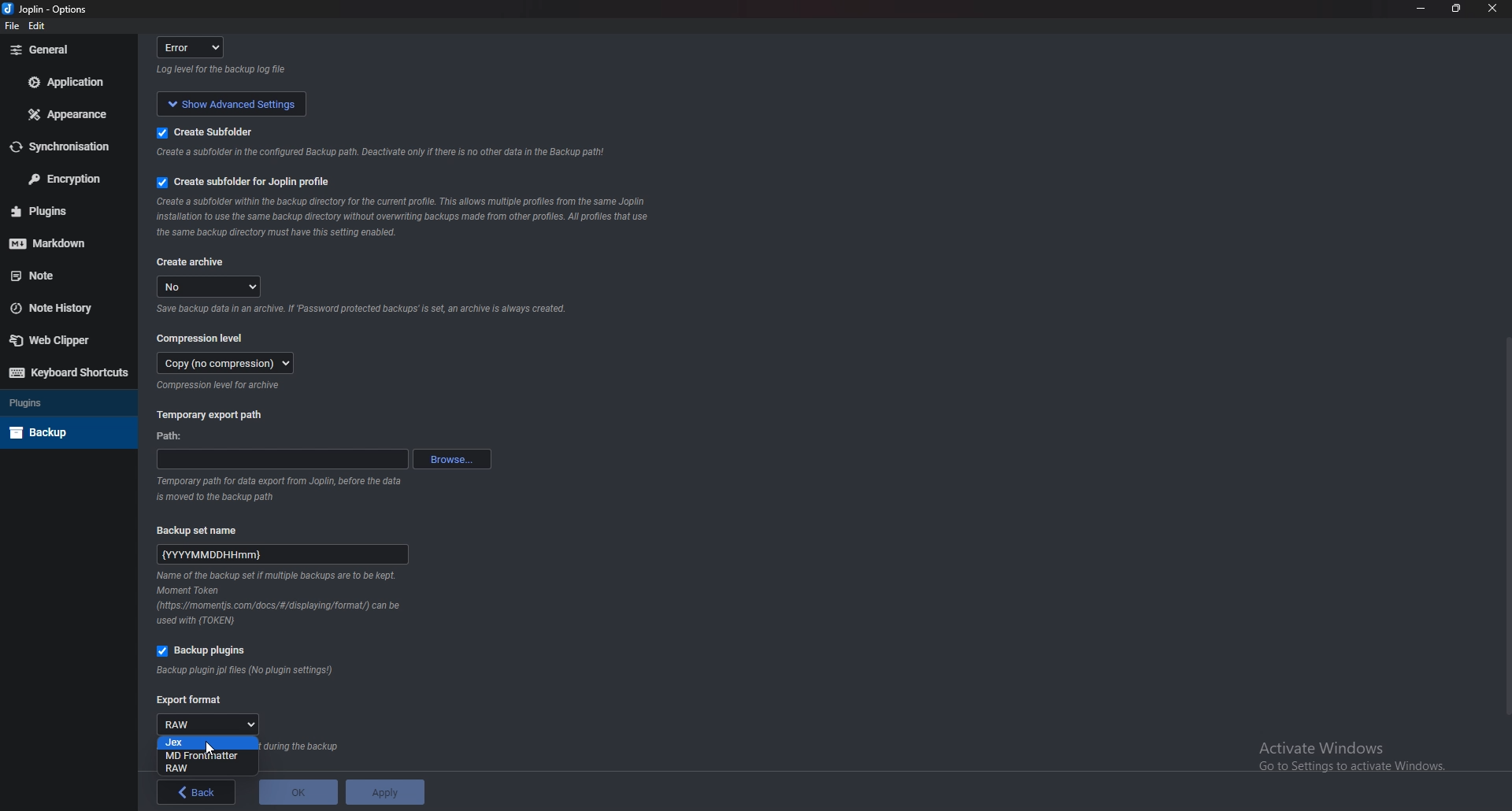 The image size is (1512, 811). I want to click on Keyboard shortcuts, so click(69, 372).